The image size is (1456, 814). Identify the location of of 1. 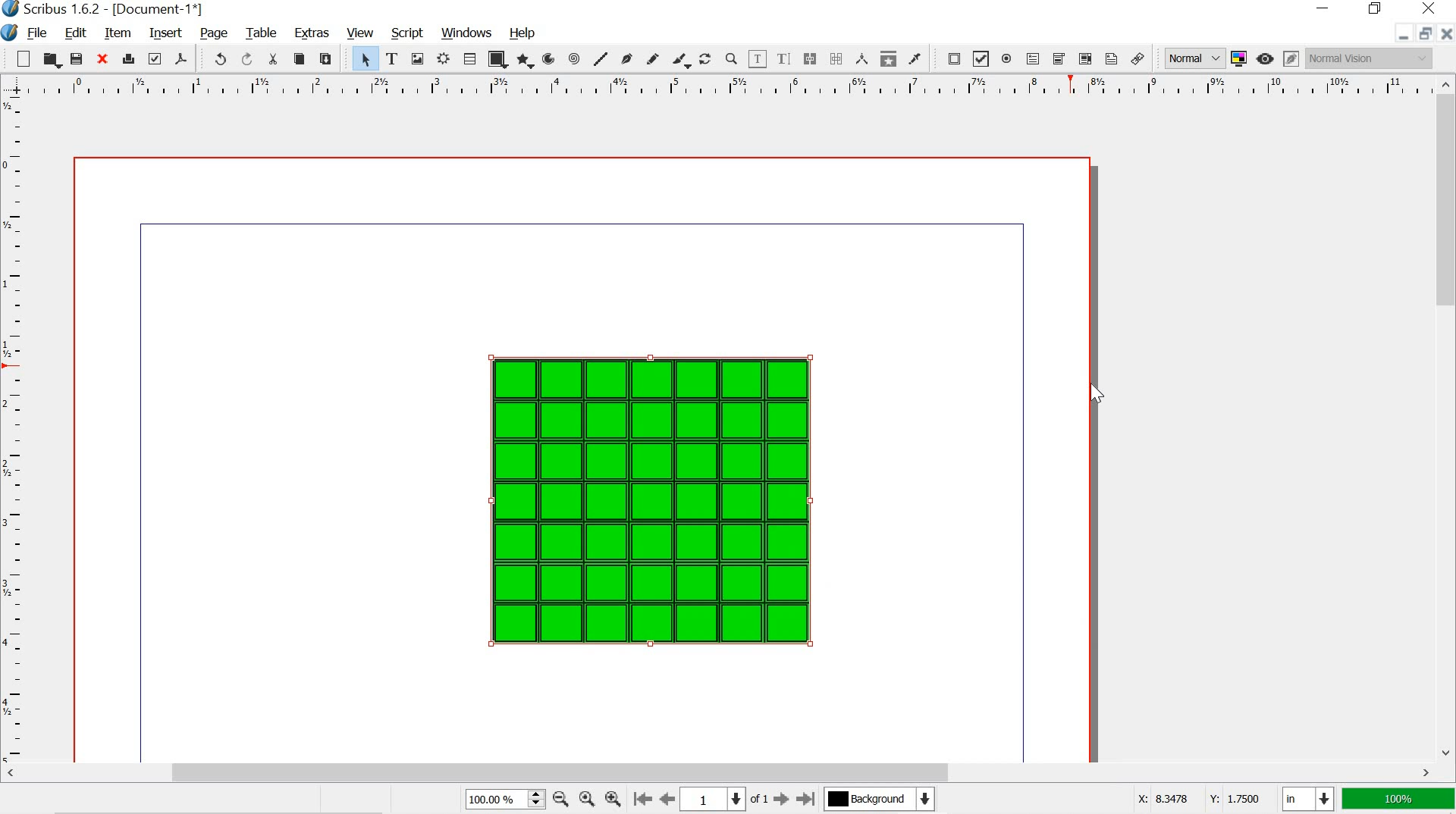
(758, 800).